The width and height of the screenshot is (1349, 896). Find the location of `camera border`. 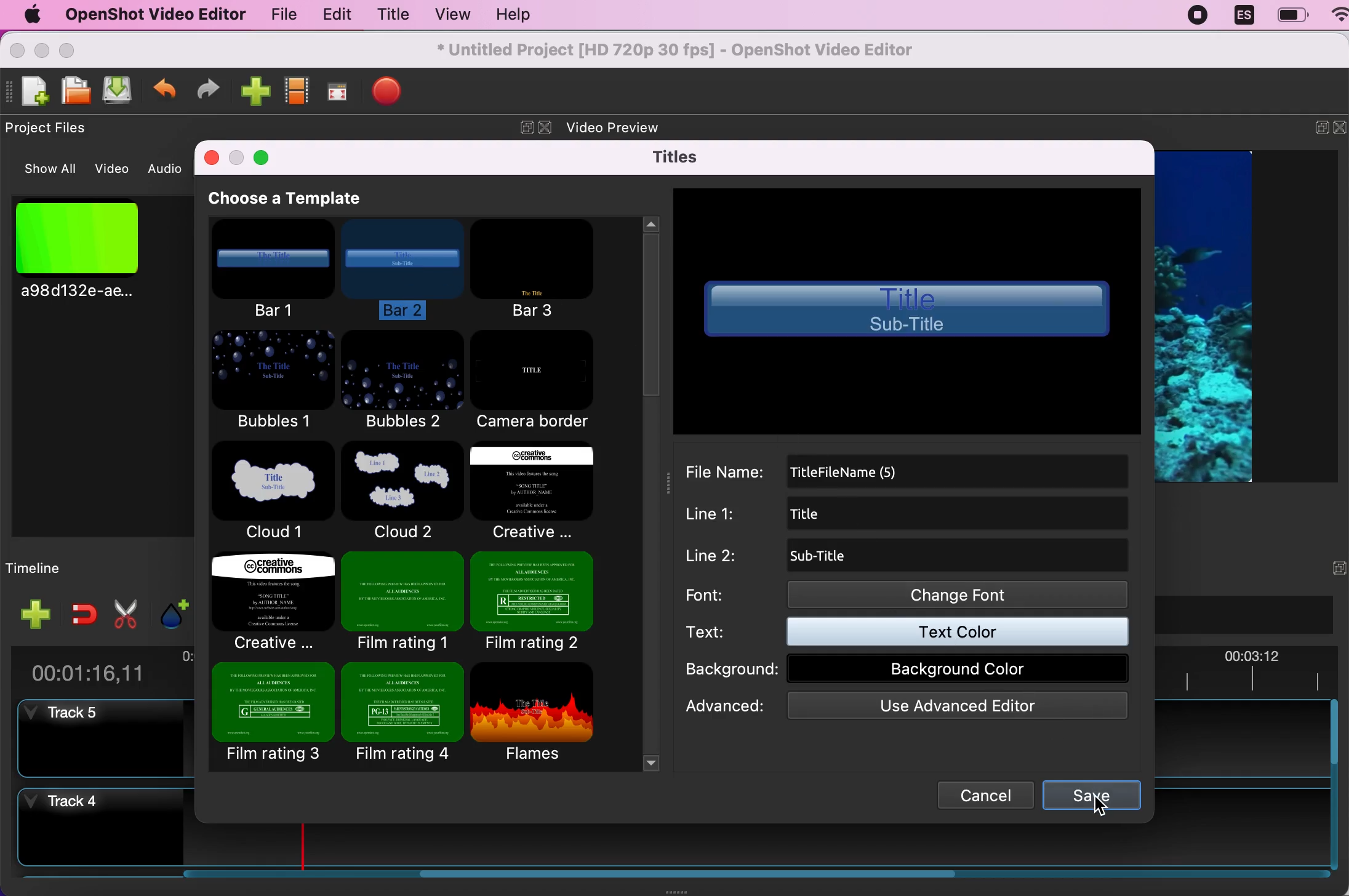

camera border is located at coordinates (542, 381).